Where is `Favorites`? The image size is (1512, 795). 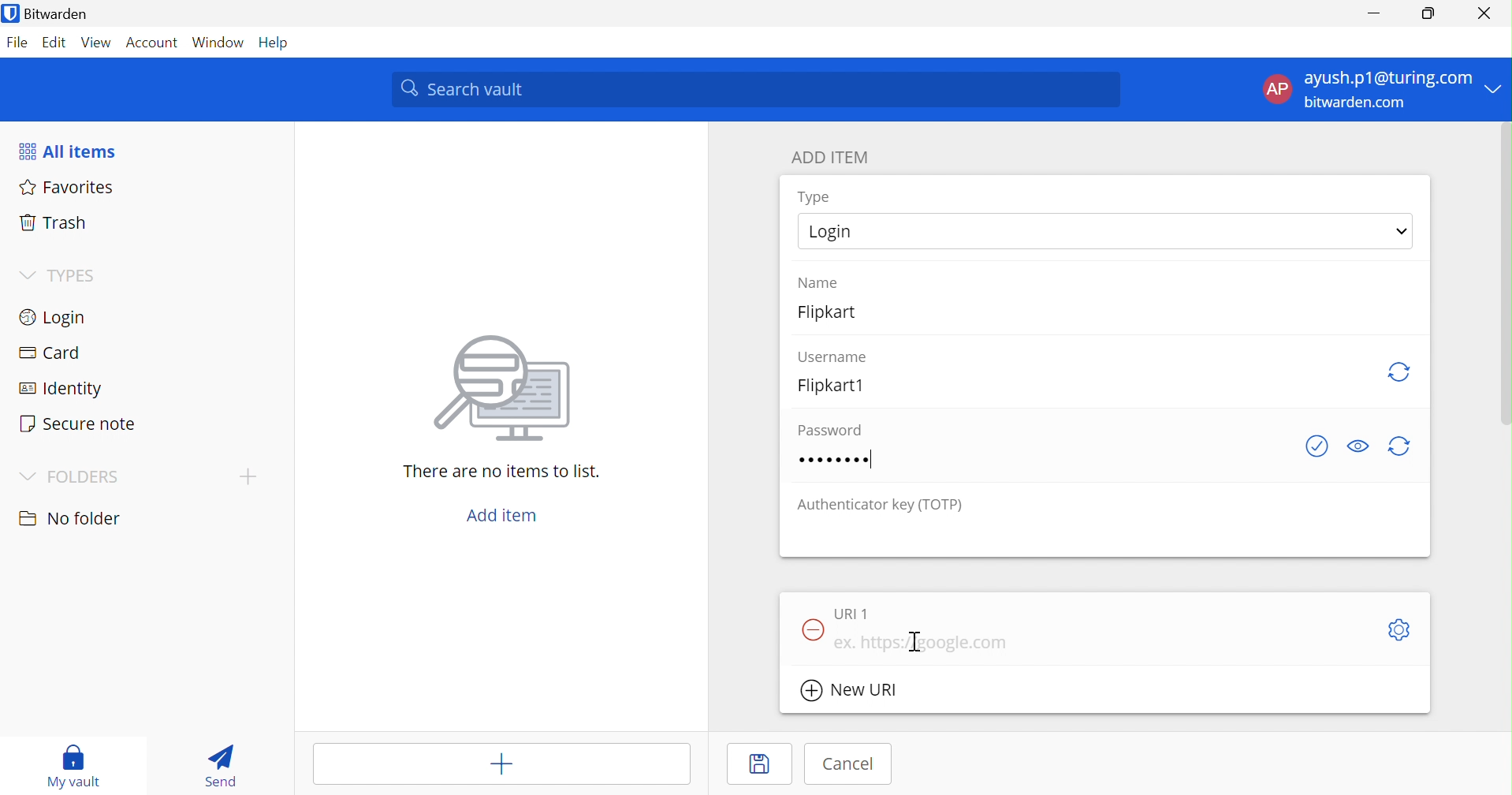 Favorites is located at coordinates (69, 188).